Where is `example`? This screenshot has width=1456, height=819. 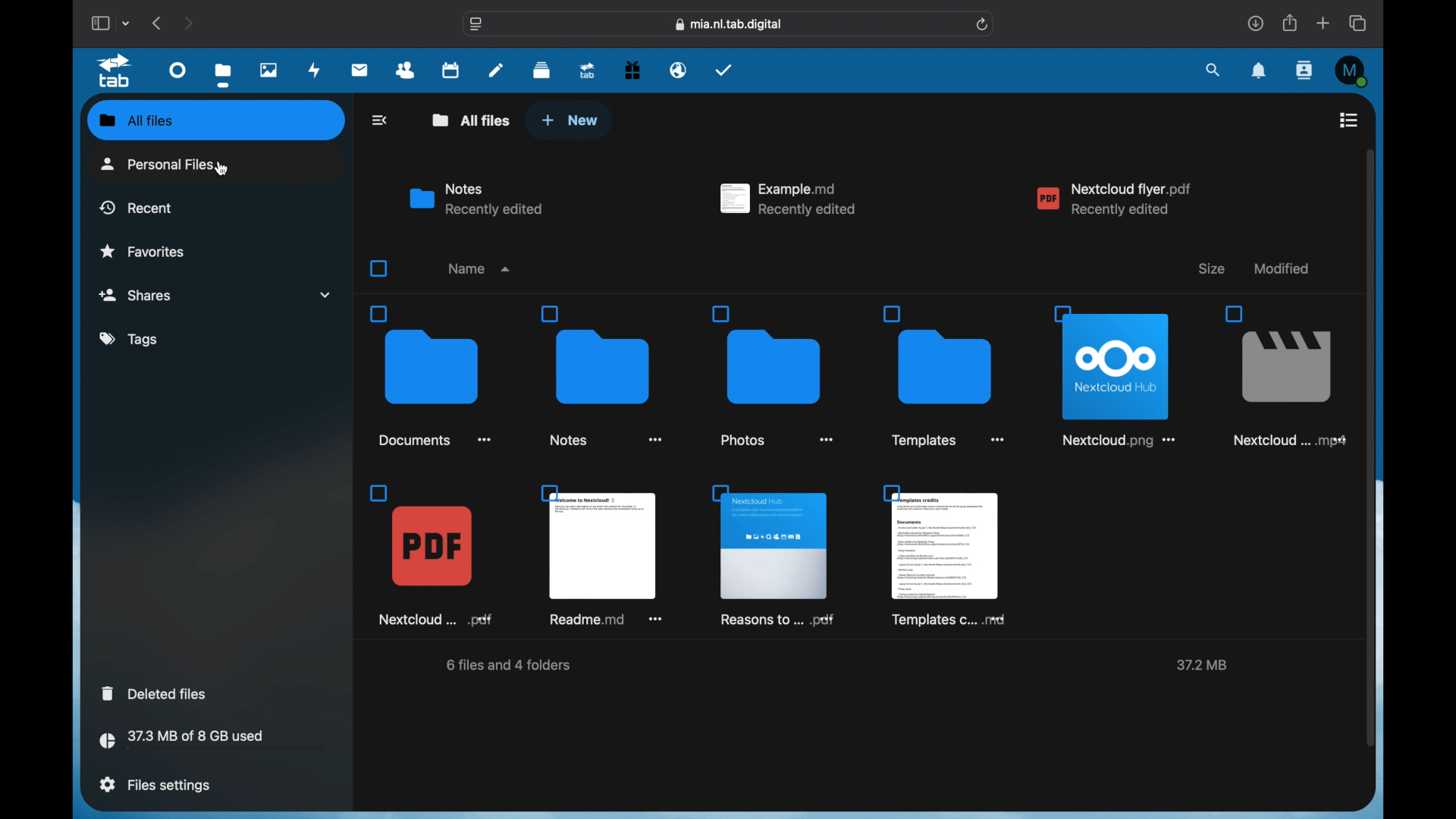 example is located at coordinates (789, 199).